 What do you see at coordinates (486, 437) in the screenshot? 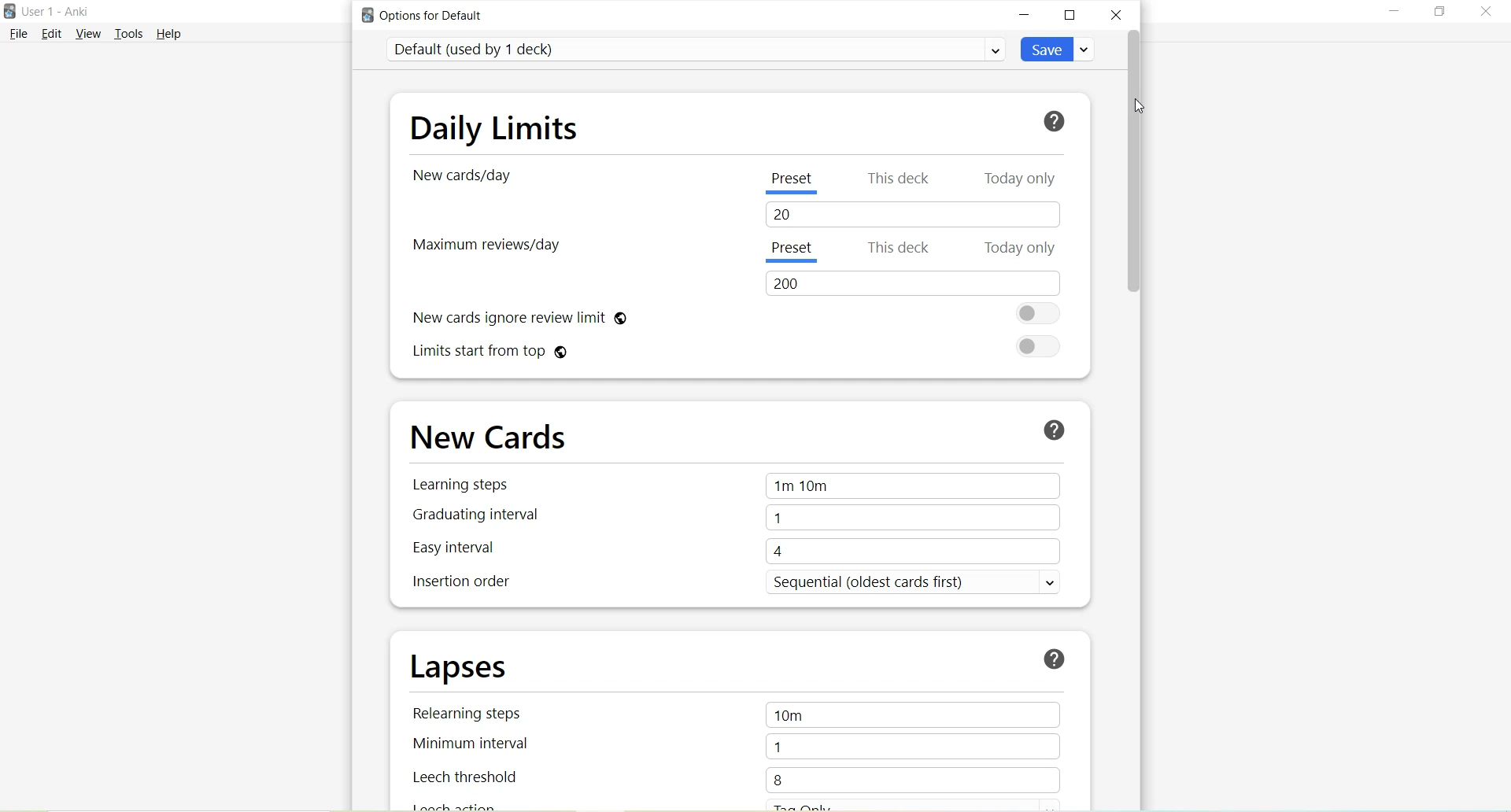
I see `New Cards` at bounding box center [486, 437].